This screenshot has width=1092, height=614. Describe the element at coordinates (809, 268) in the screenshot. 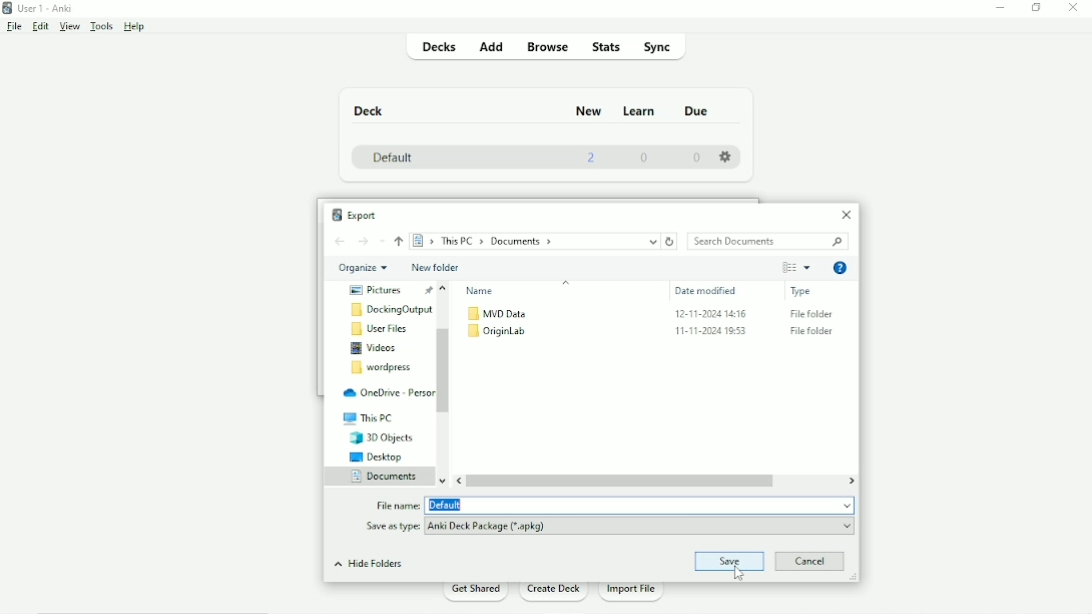

I see `More Options` at that location.